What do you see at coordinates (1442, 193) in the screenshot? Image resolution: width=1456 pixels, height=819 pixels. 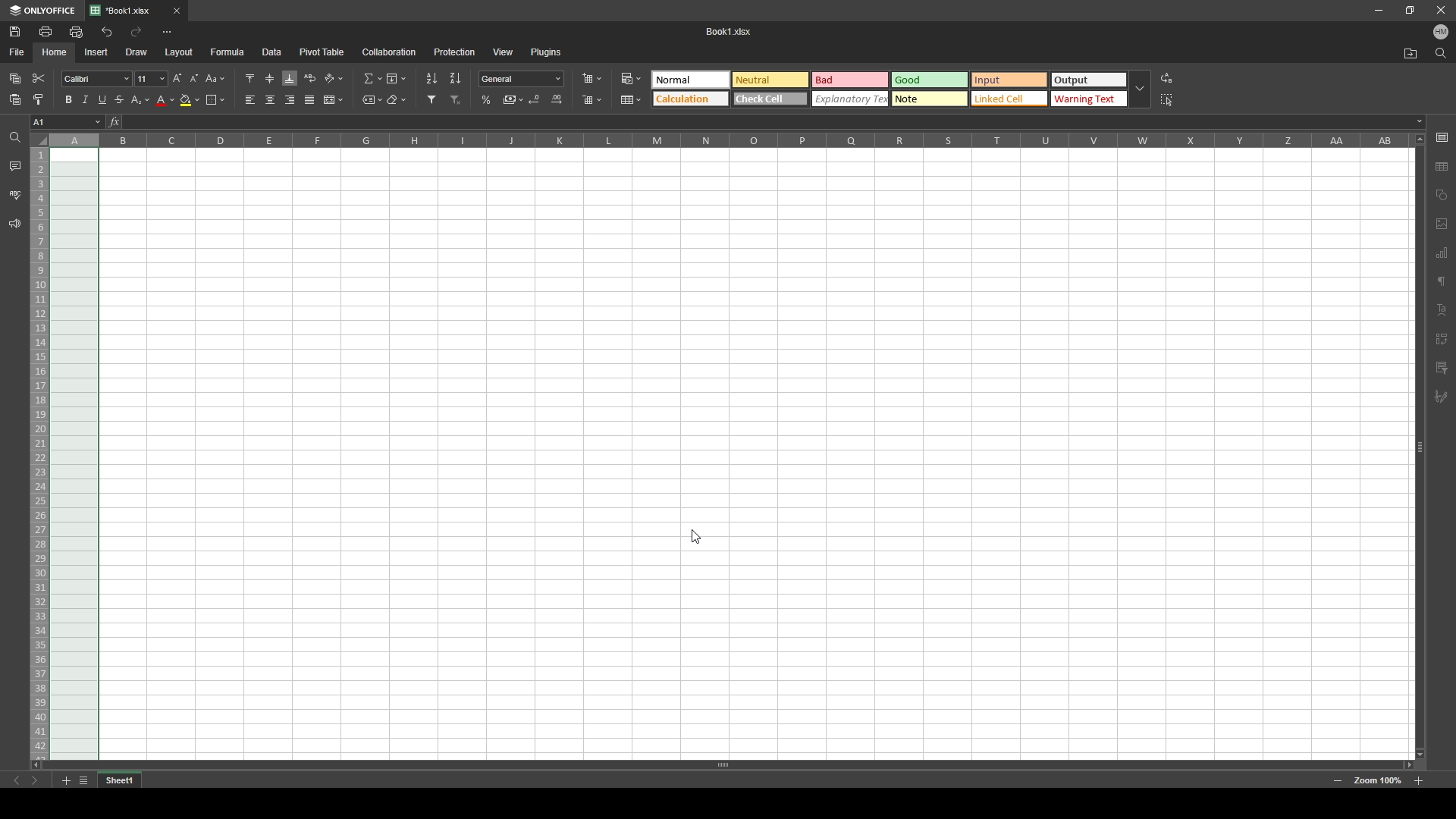 I see `shape` at bounding box center [1442, 193].